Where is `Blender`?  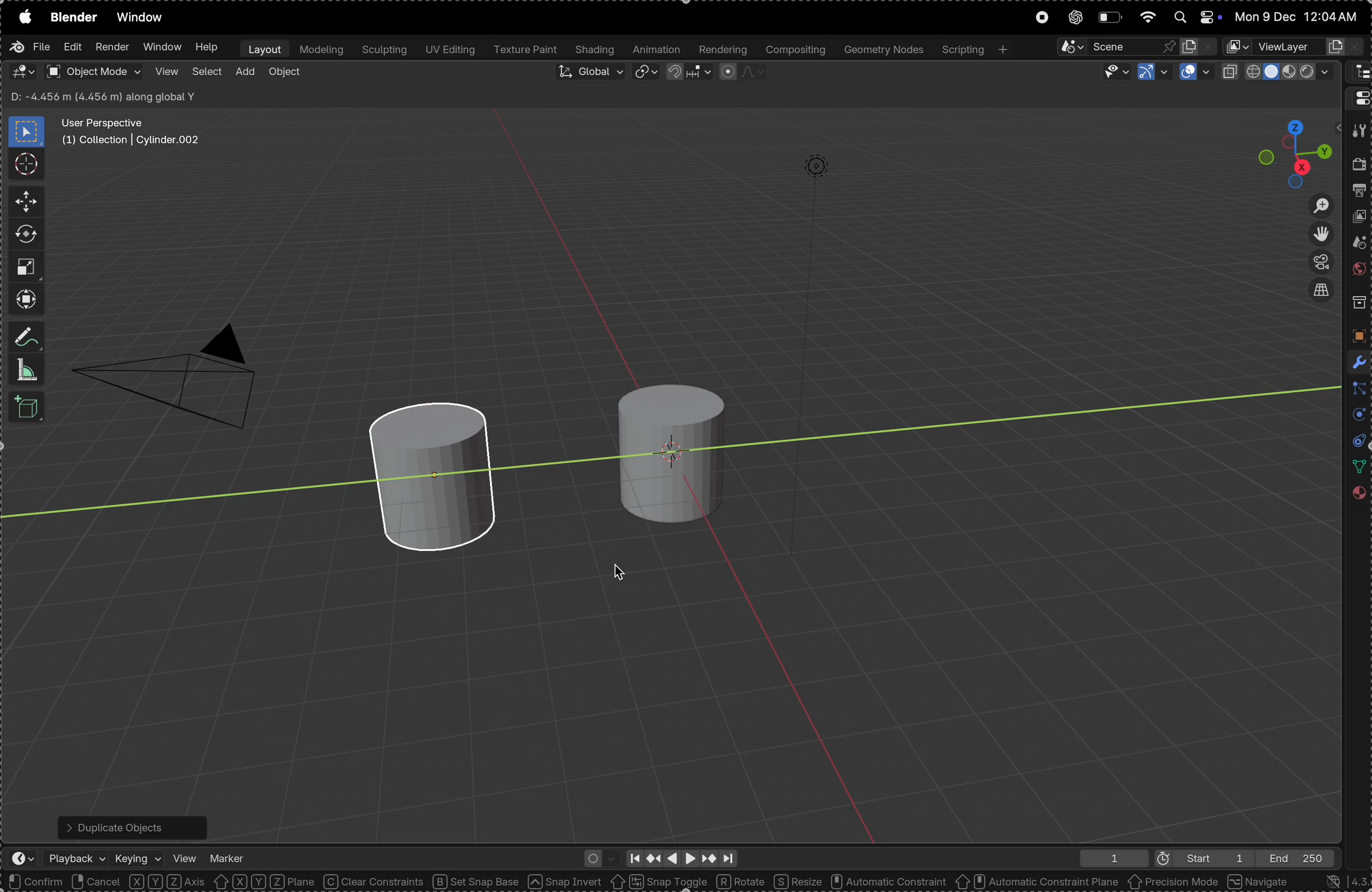 Blender is located at coordinates (73, 17).